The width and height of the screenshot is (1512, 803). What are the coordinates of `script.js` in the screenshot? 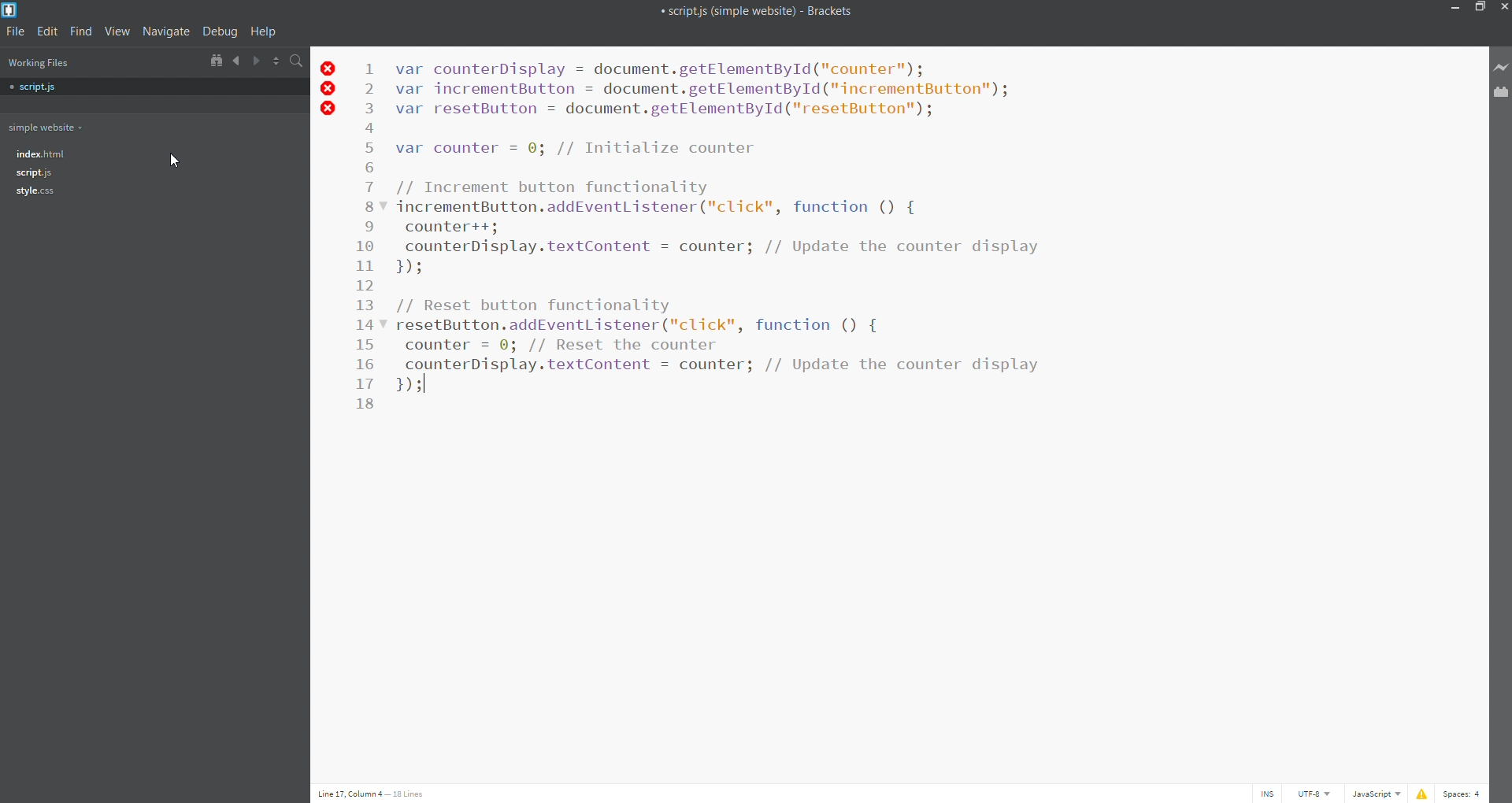 It's located at (49, 87).